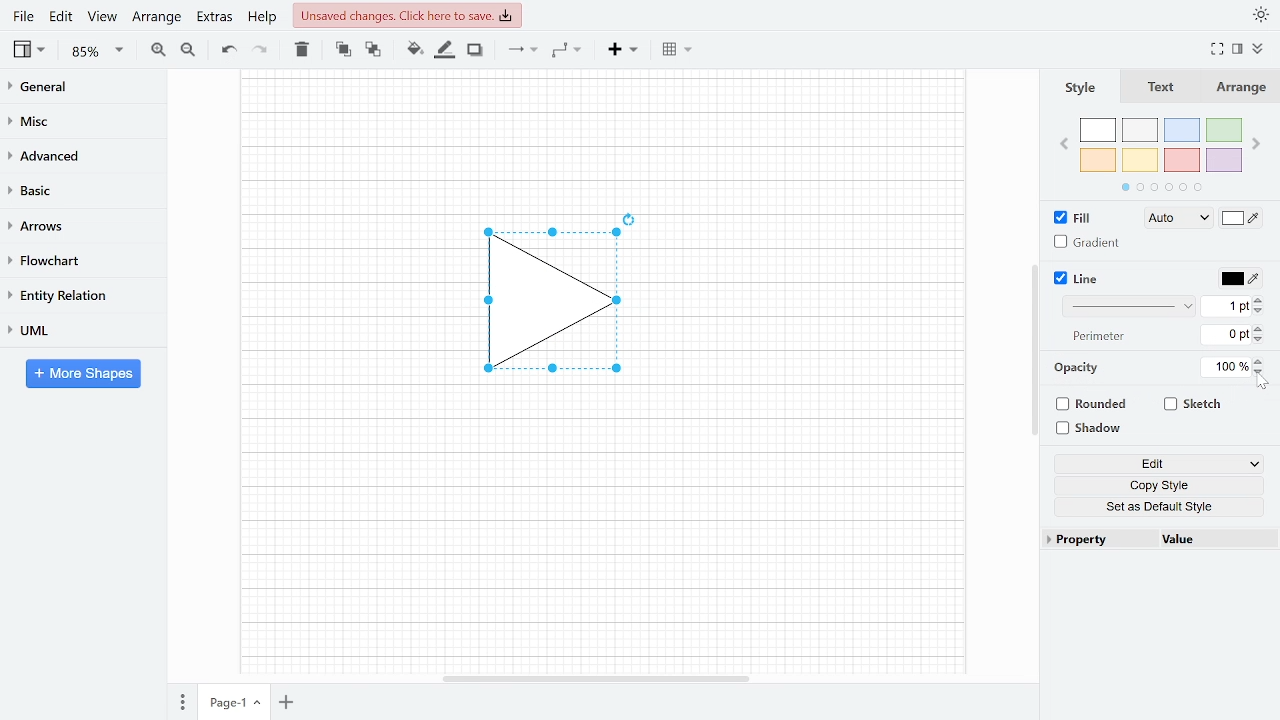  What do you see at coordinates (1184, 130) in the screenshot?
I see `blue` at bounding box center [1184, 130].